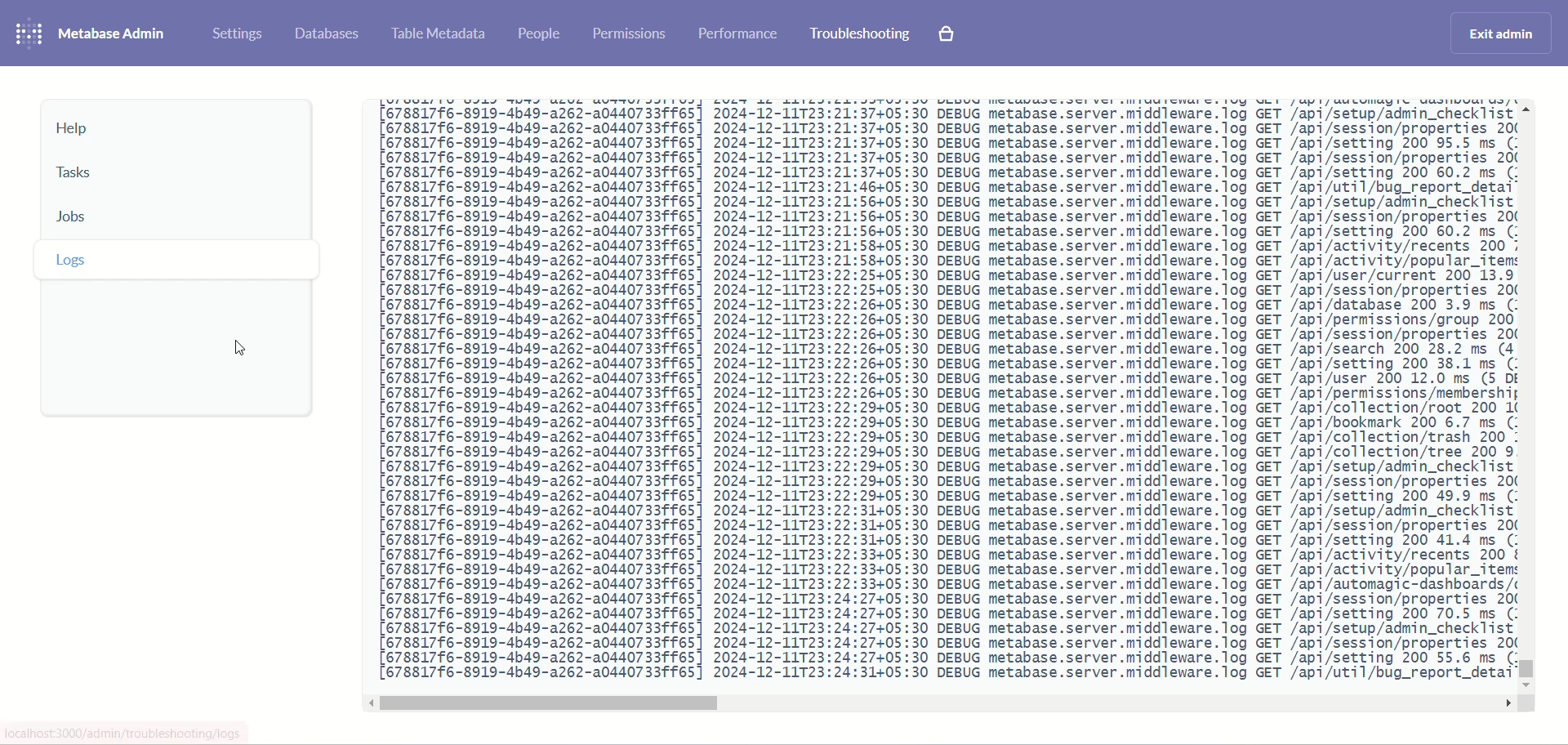  What do you see at coordinates (738, 36) in the screenshot?
I see `performance` at bounding box center [738, 36].